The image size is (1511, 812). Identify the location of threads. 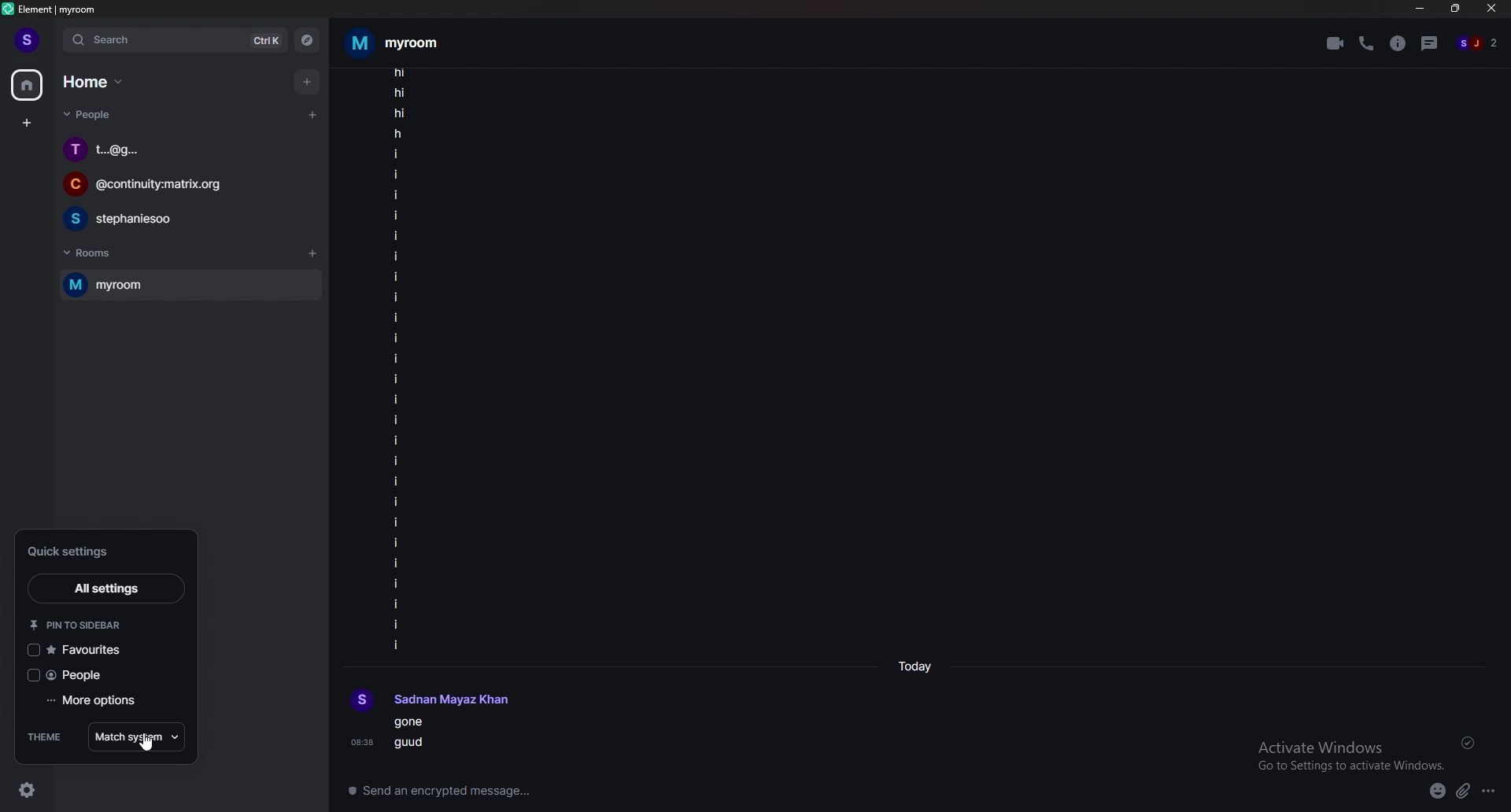
(1430, 43).